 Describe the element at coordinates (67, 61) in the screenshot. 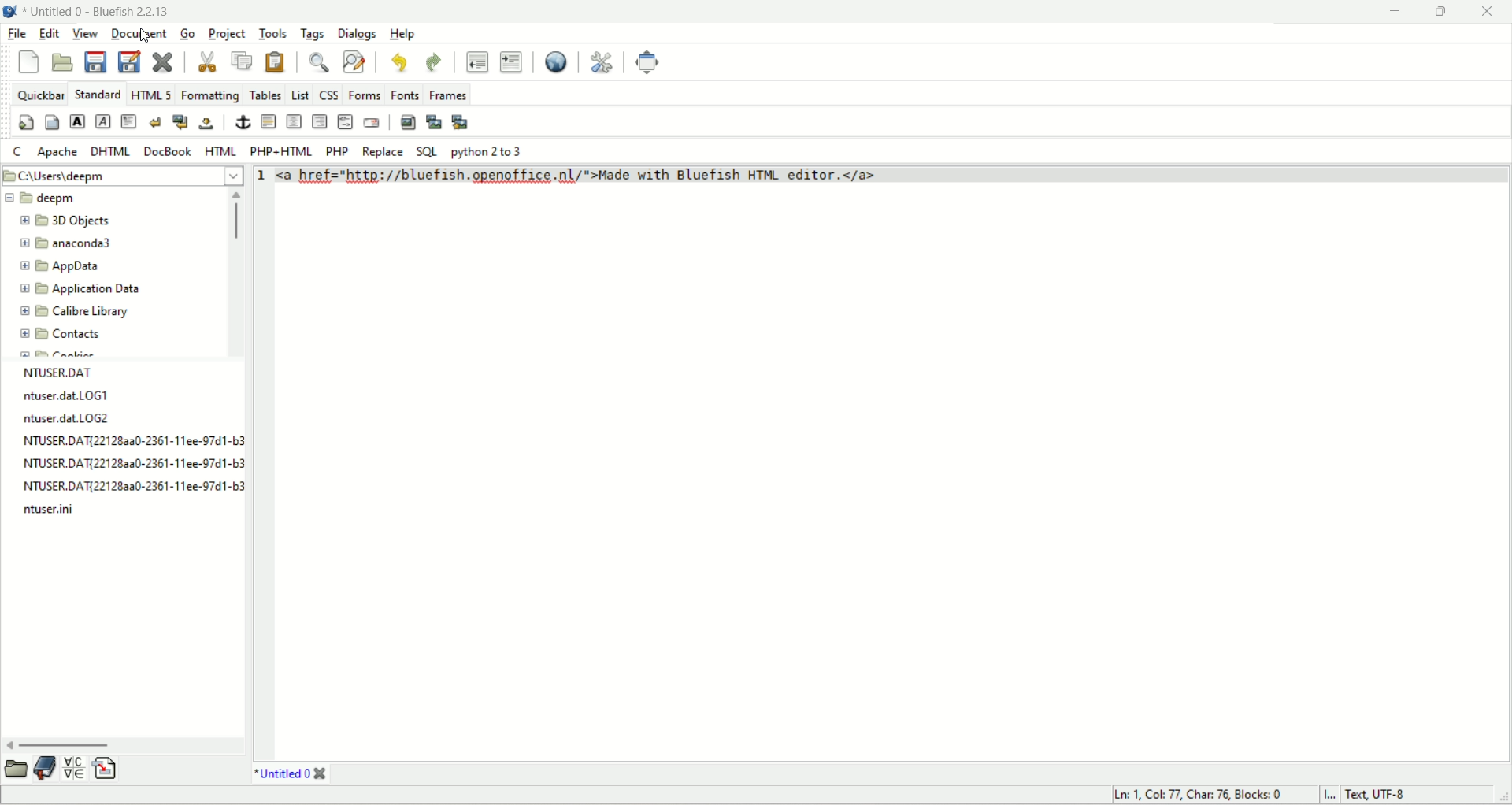

I see `open file` at that location.